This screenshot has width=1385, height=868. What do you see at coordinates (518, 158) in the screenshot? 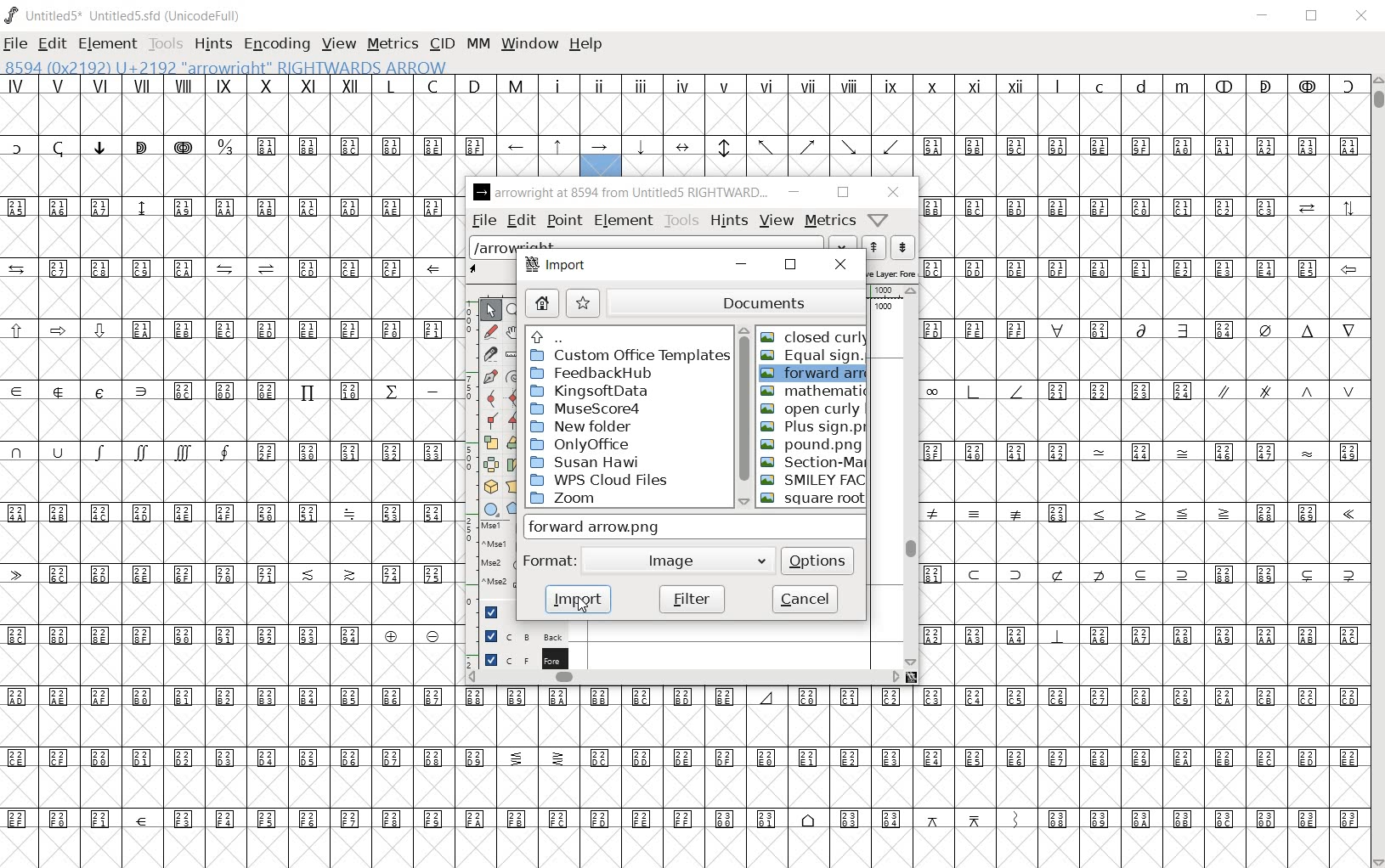
I see `gylph characters` at bounding box center [518, 158].